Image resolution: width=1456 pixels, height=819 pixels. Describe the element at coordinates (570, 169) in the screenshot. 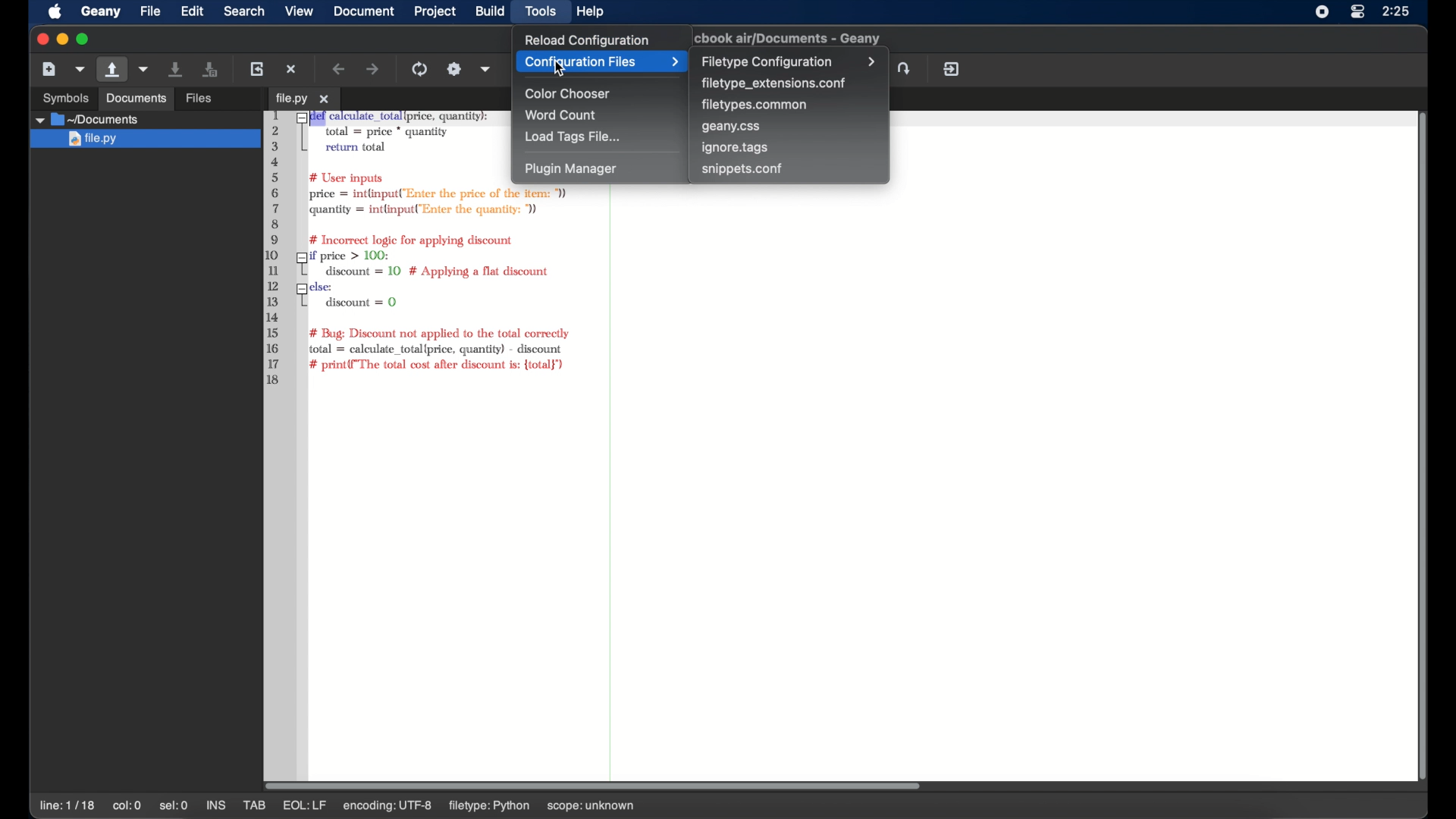

I see `plugin manager` at that location.